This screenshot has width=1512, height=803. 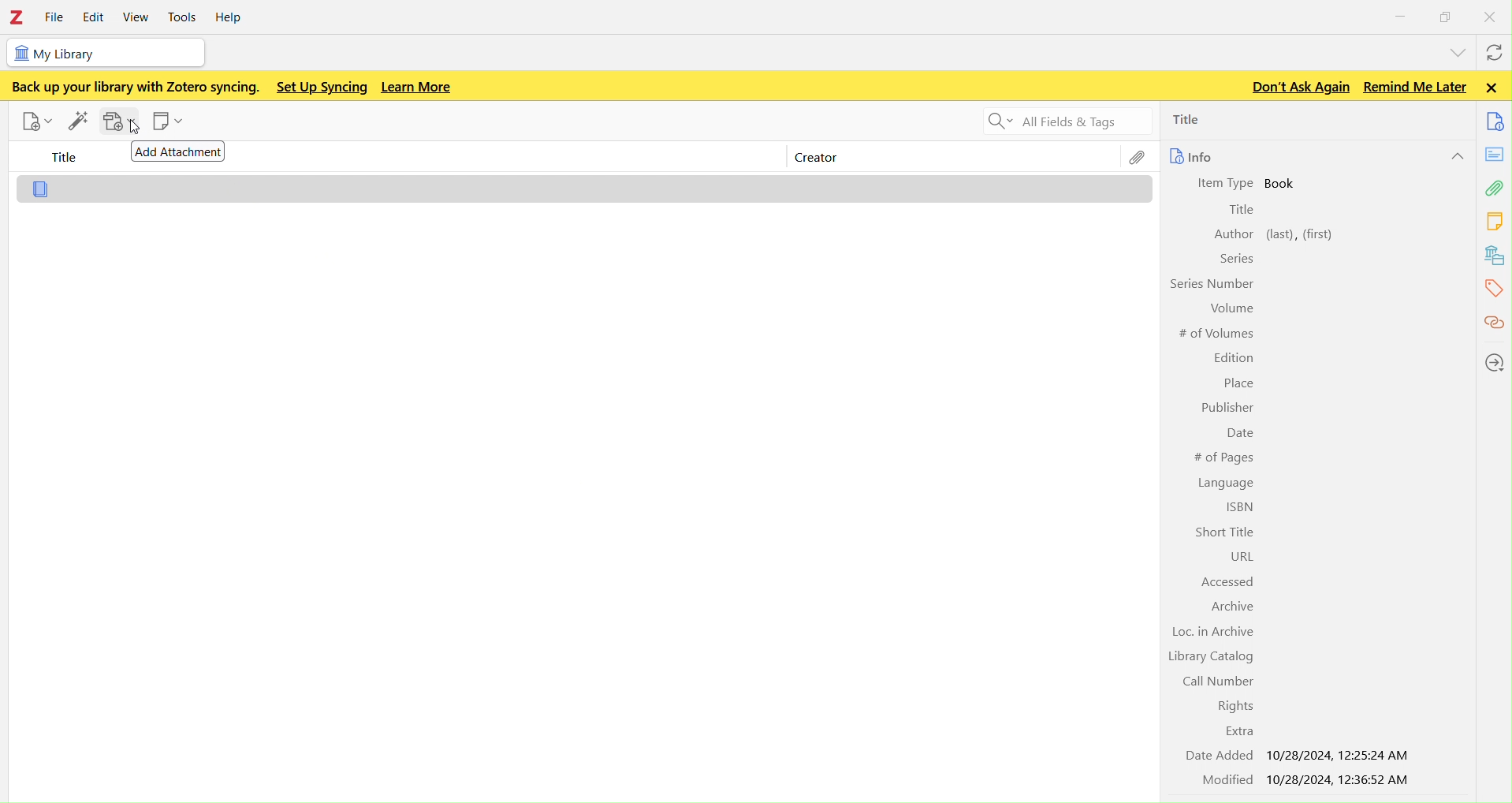 What do you see at coordinates (1217, 120) in the screenshot?
I see `title` at bounding box center [1217, 120].